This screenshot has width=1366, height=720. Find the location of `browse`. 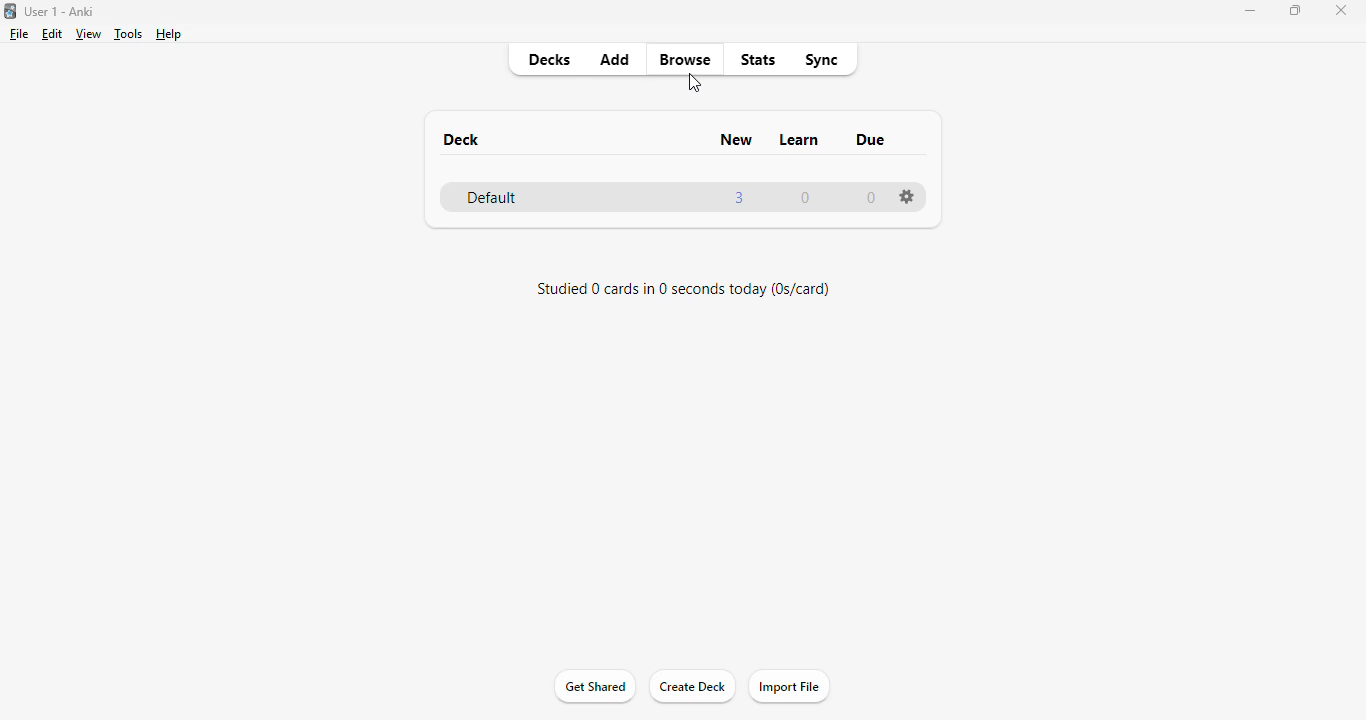

browse is located at coordinates (686, 59).